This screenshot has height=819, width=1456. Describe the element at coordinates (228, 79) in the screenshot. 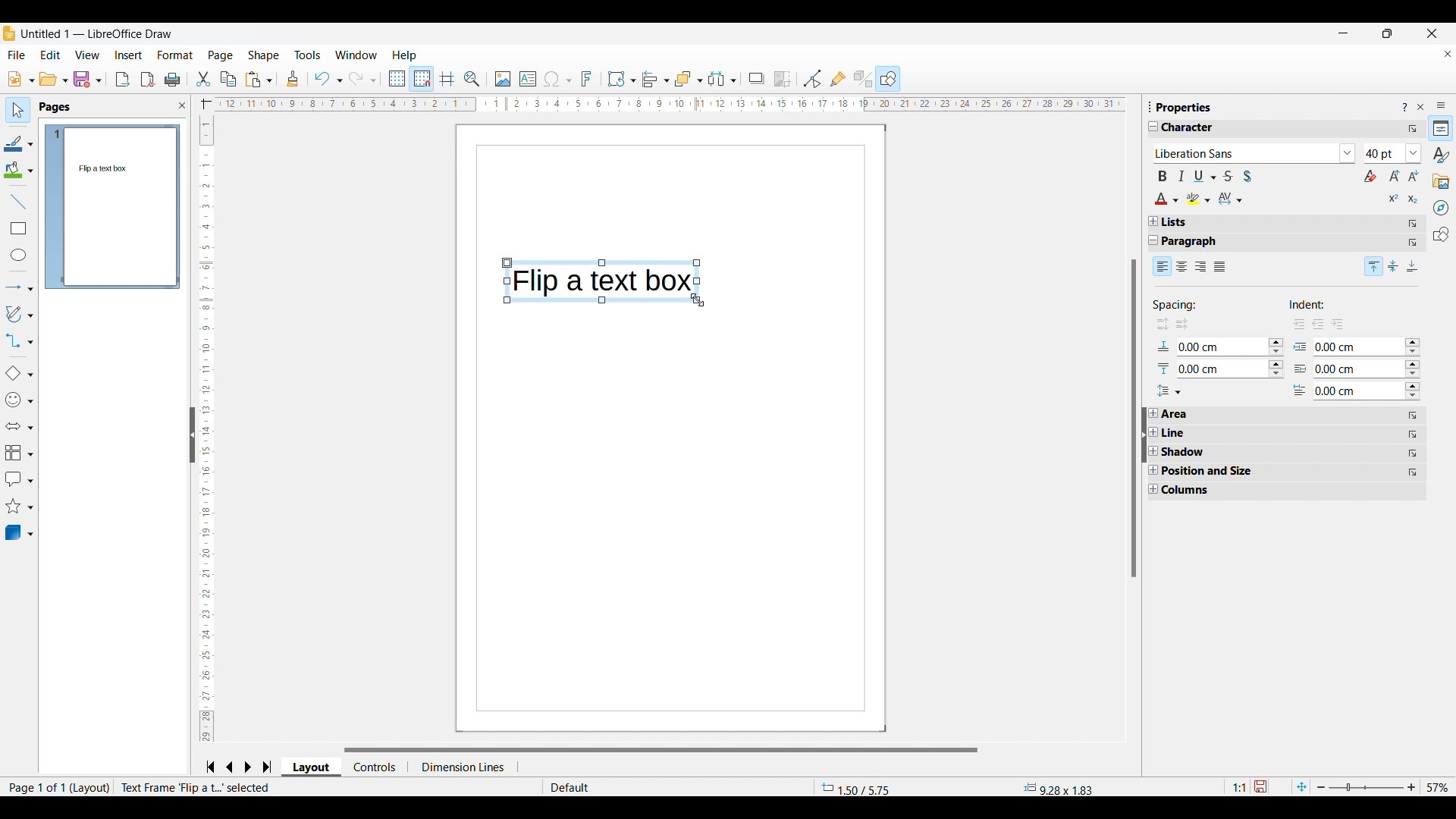

I see `Copy` at that location.